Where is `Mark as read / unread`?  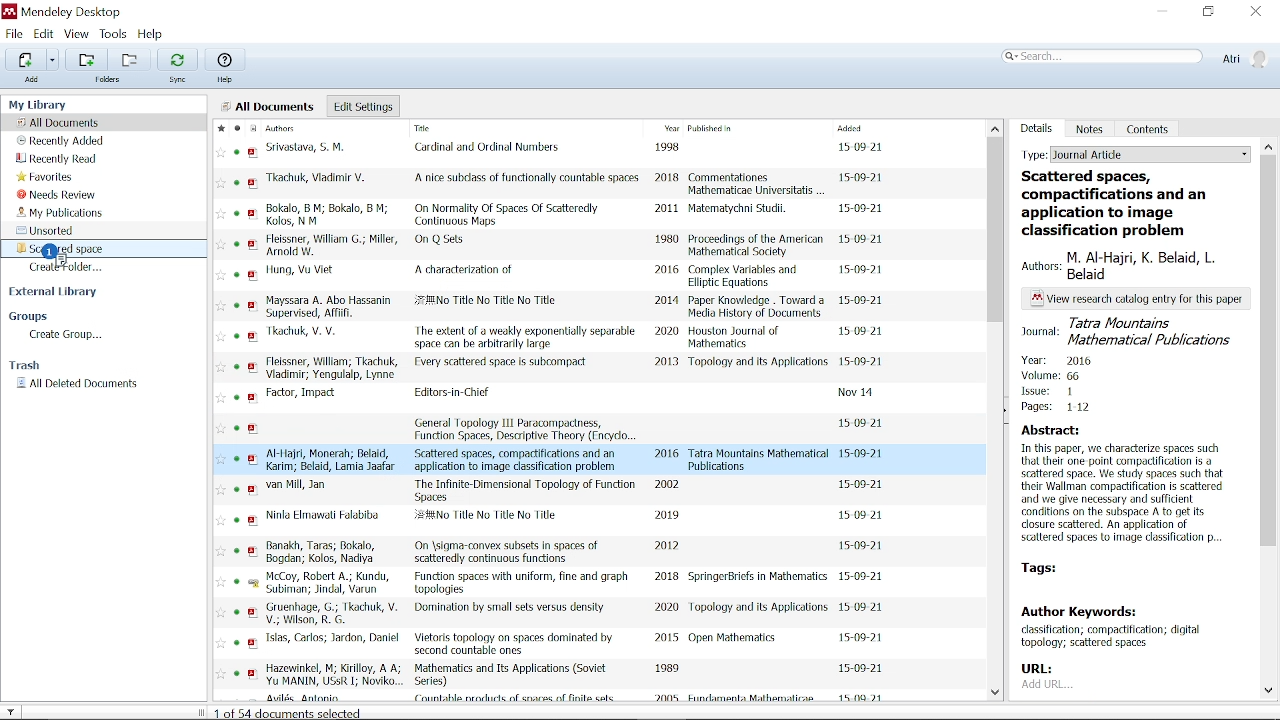
Mark as read / unread is located at coordinates (236, 128).